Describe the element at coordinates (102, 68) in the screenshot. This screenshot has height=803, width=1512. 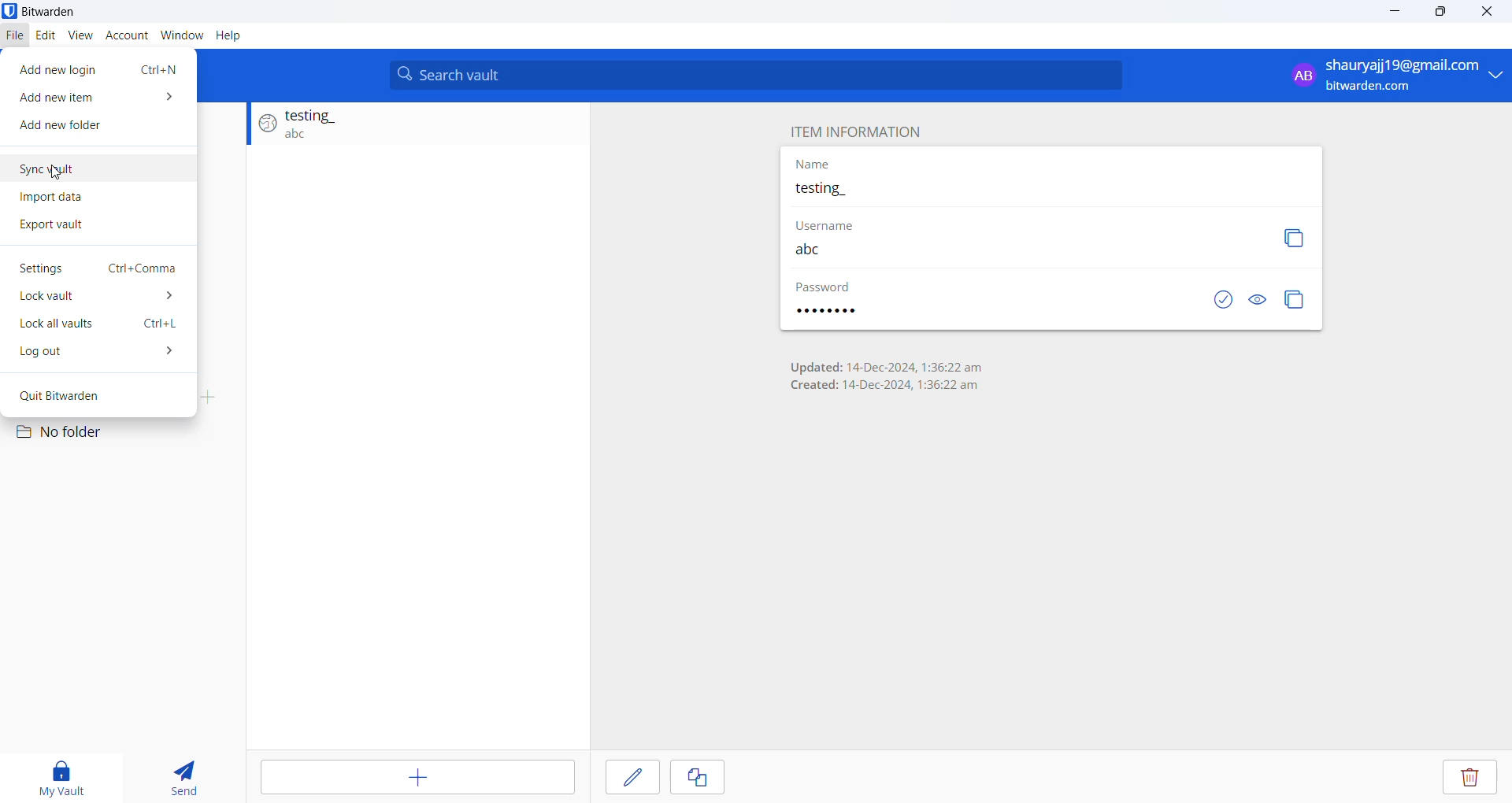
I see `Add new login` at that location.